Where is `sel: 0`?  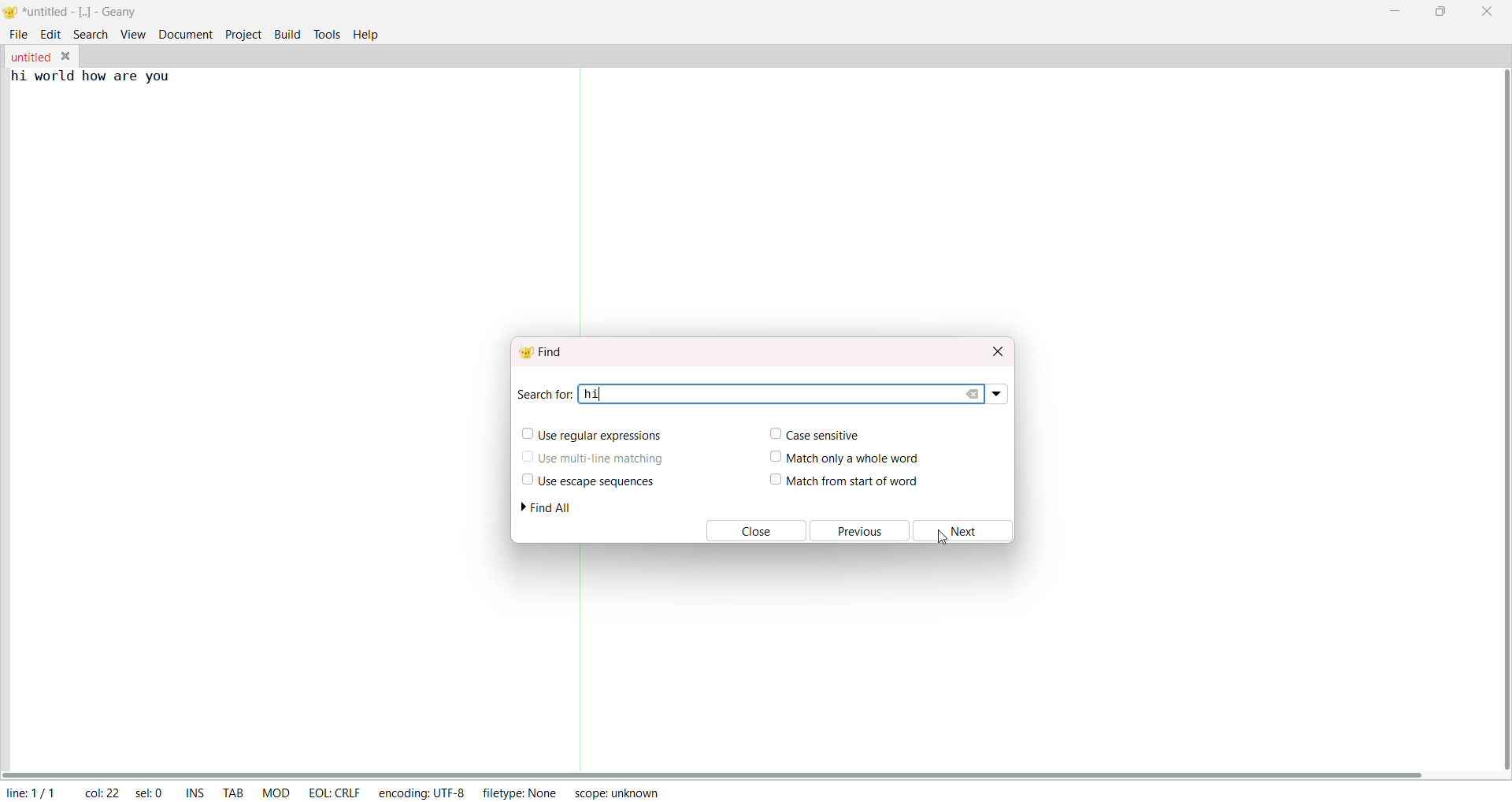
sel: 0 is located at coordinates (151, 793).